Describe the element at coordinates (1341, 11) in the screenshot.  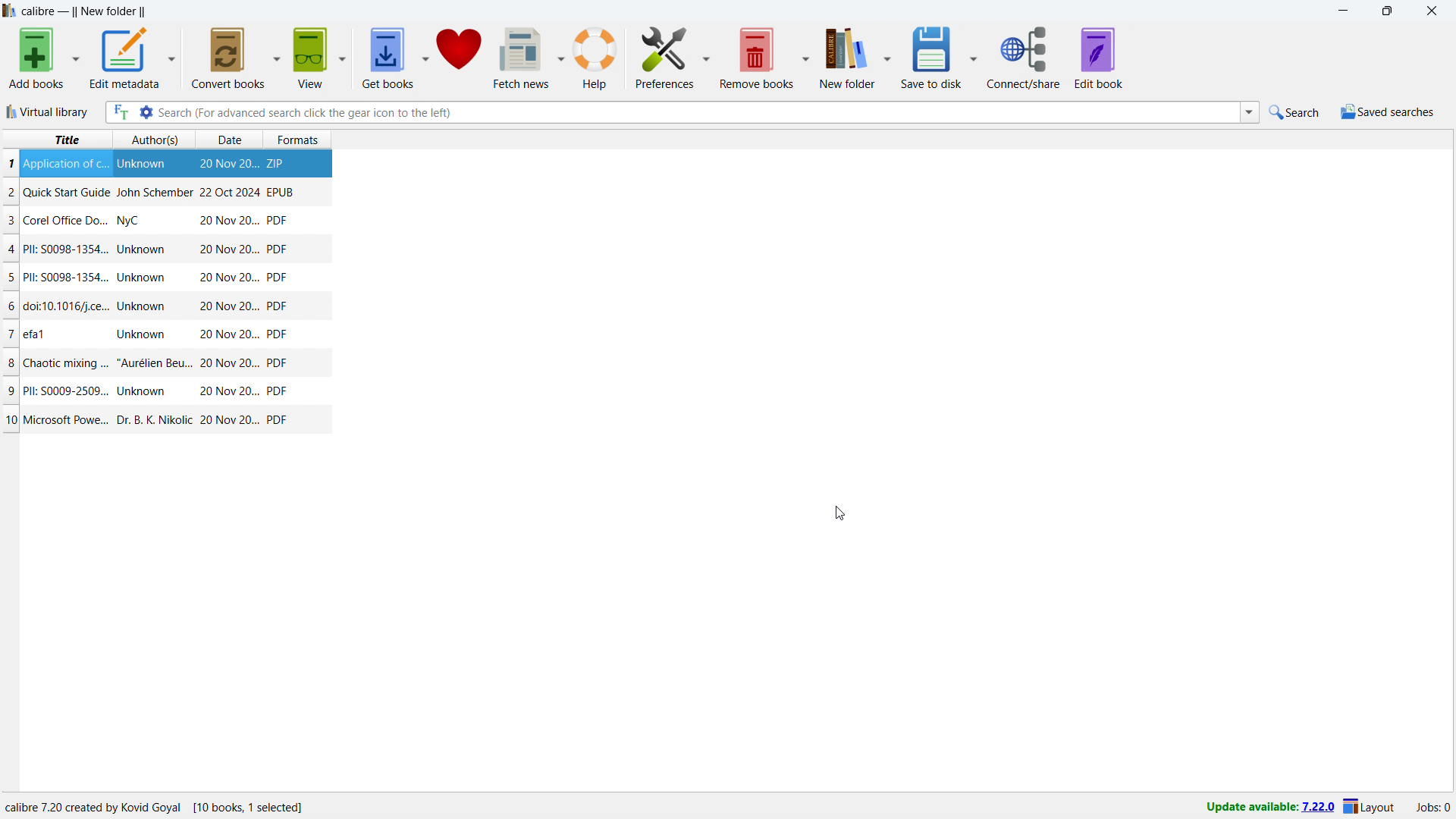
I see `minimize` at that location.